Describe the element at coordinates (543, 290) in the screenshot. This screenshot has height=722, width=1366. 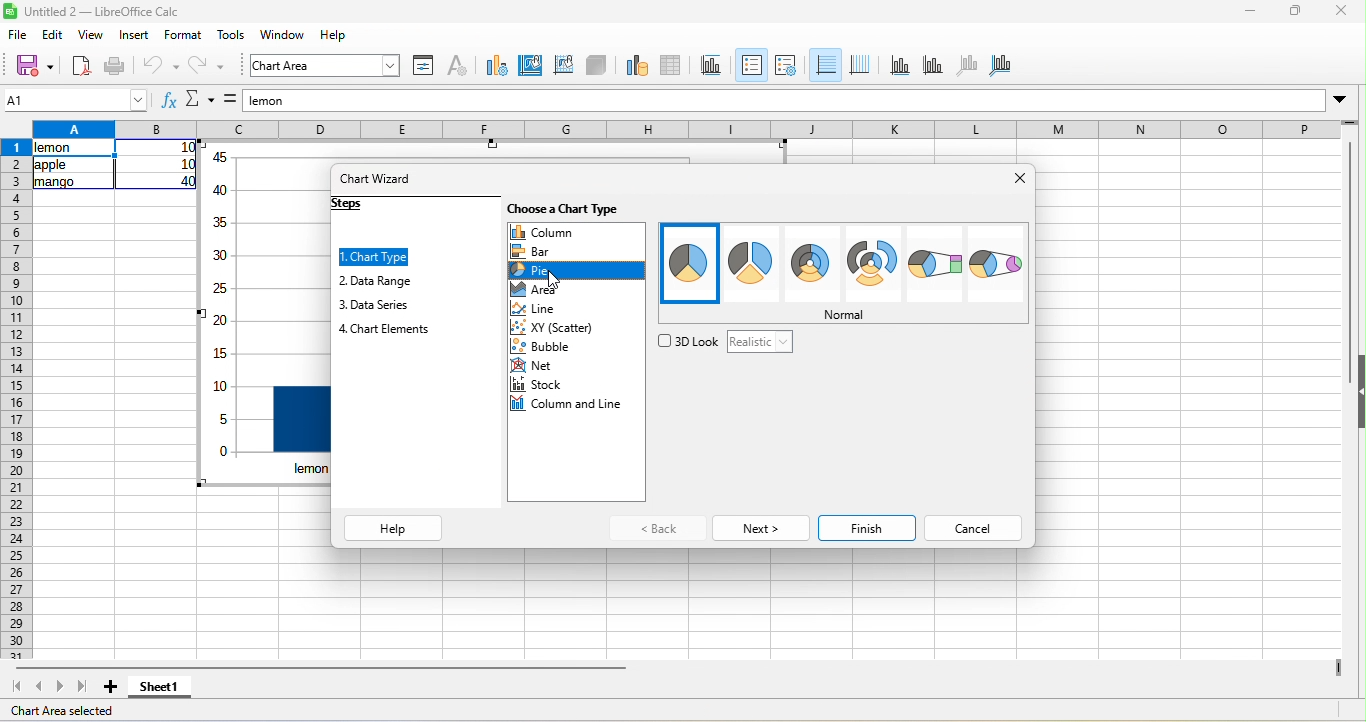
I see `area` at that location.